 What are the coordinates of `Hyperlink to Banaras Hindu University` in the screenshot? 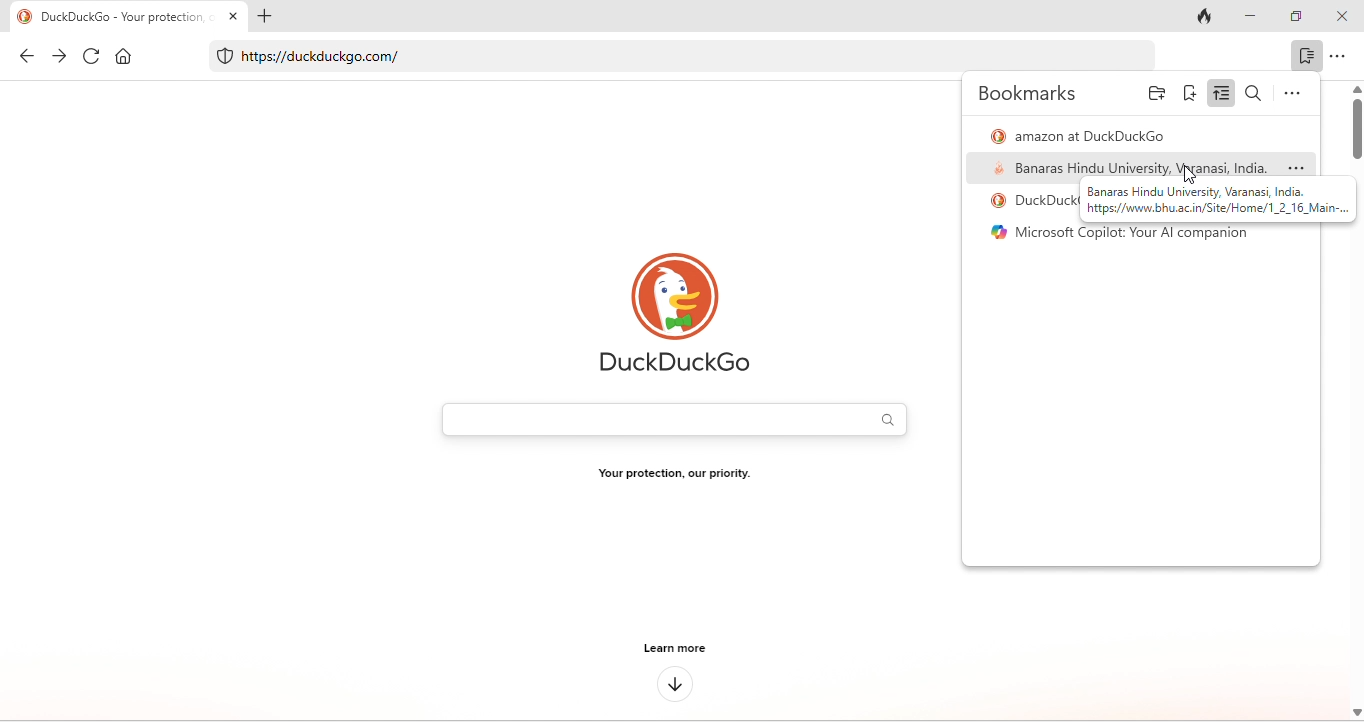 It's located at (1213, 199).